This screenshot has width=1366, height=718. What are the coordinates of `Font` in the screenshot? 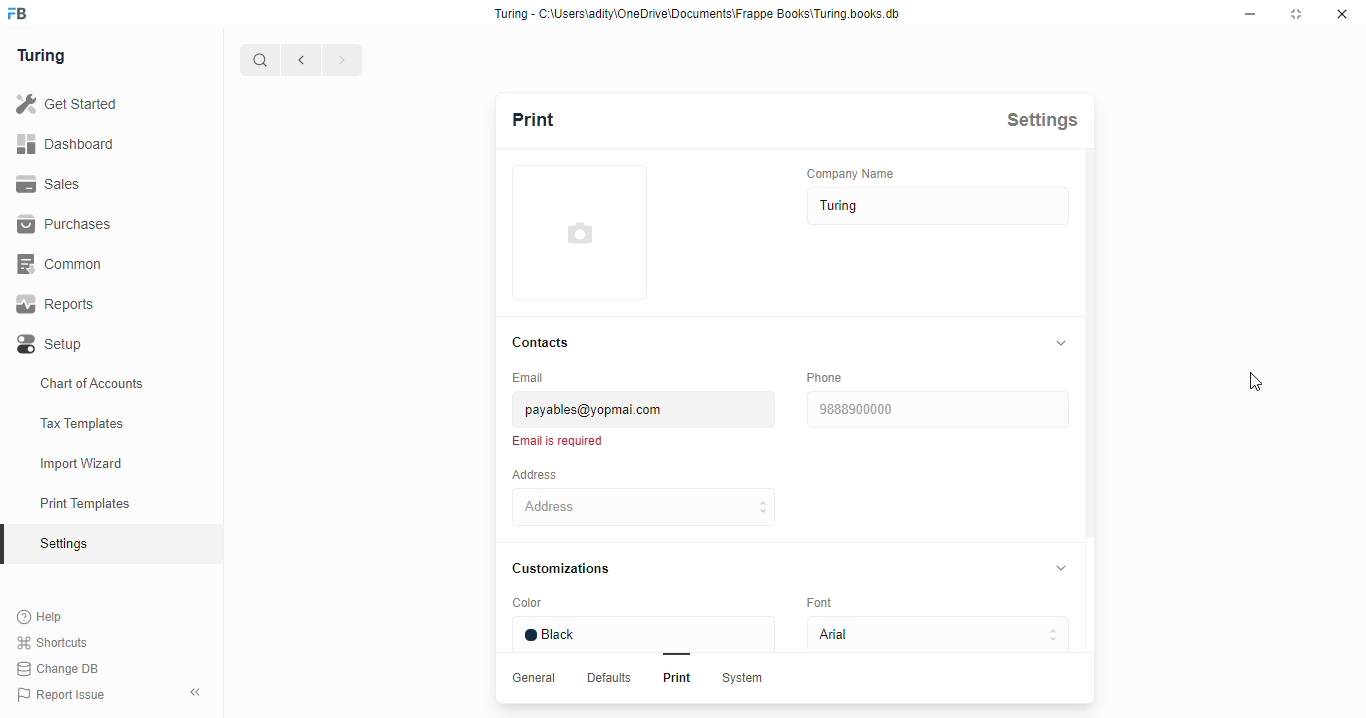 It's located at (830, 604).